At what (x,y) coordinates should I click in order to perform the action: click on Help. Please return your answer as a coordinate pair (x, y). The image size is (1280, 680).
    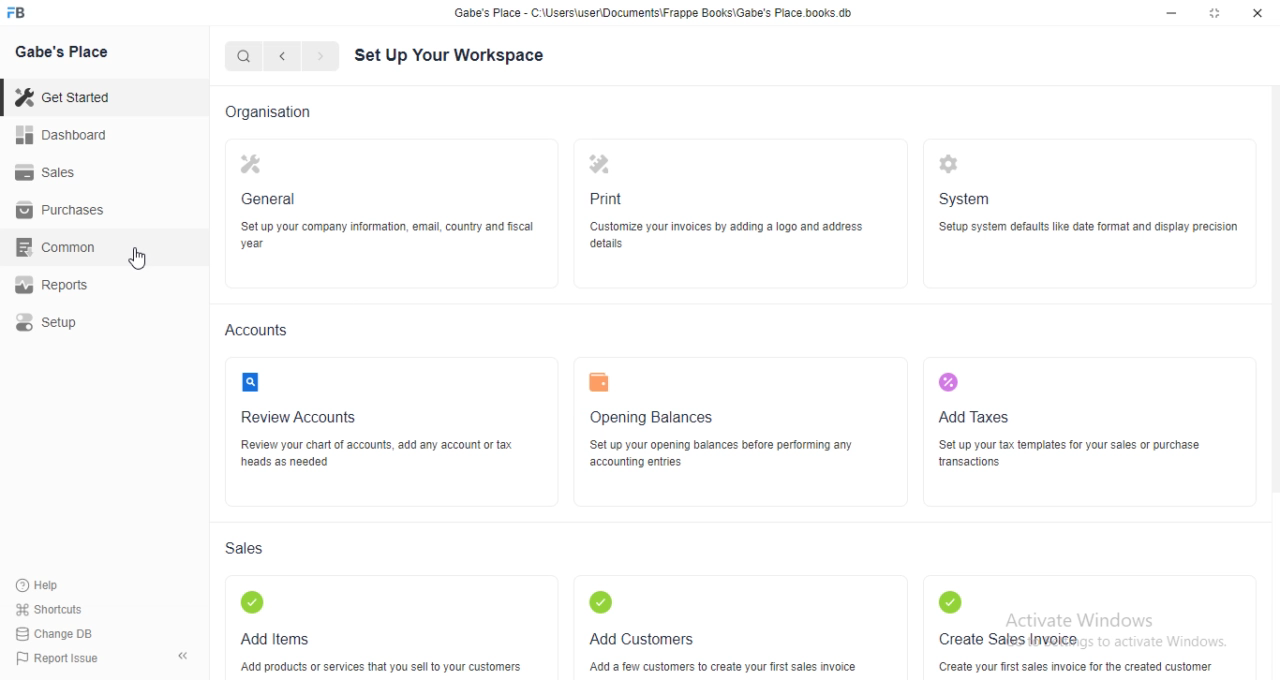
    Looking at the image, I should click on (36, 585).